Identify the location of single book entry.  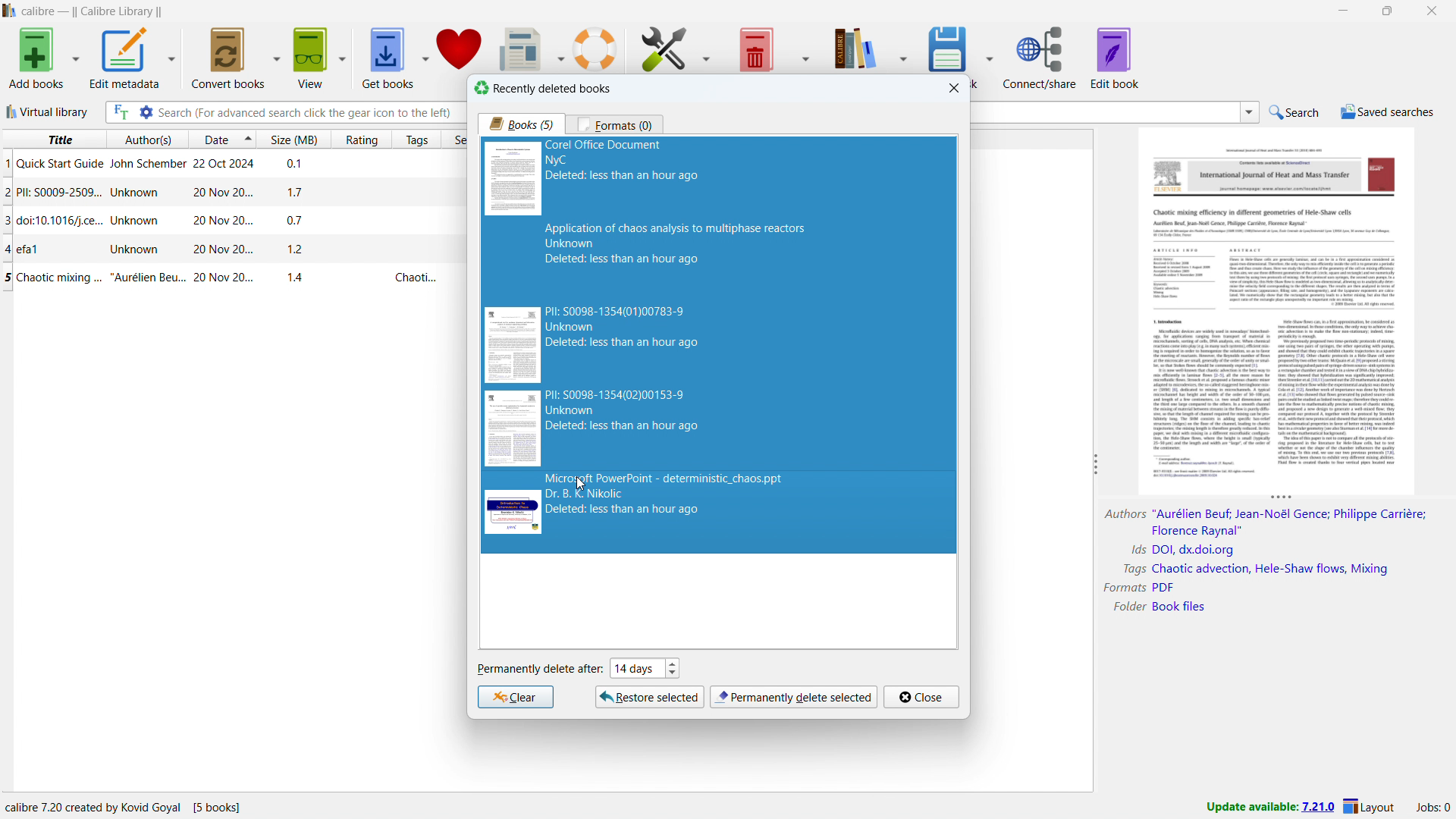
(227, 193).